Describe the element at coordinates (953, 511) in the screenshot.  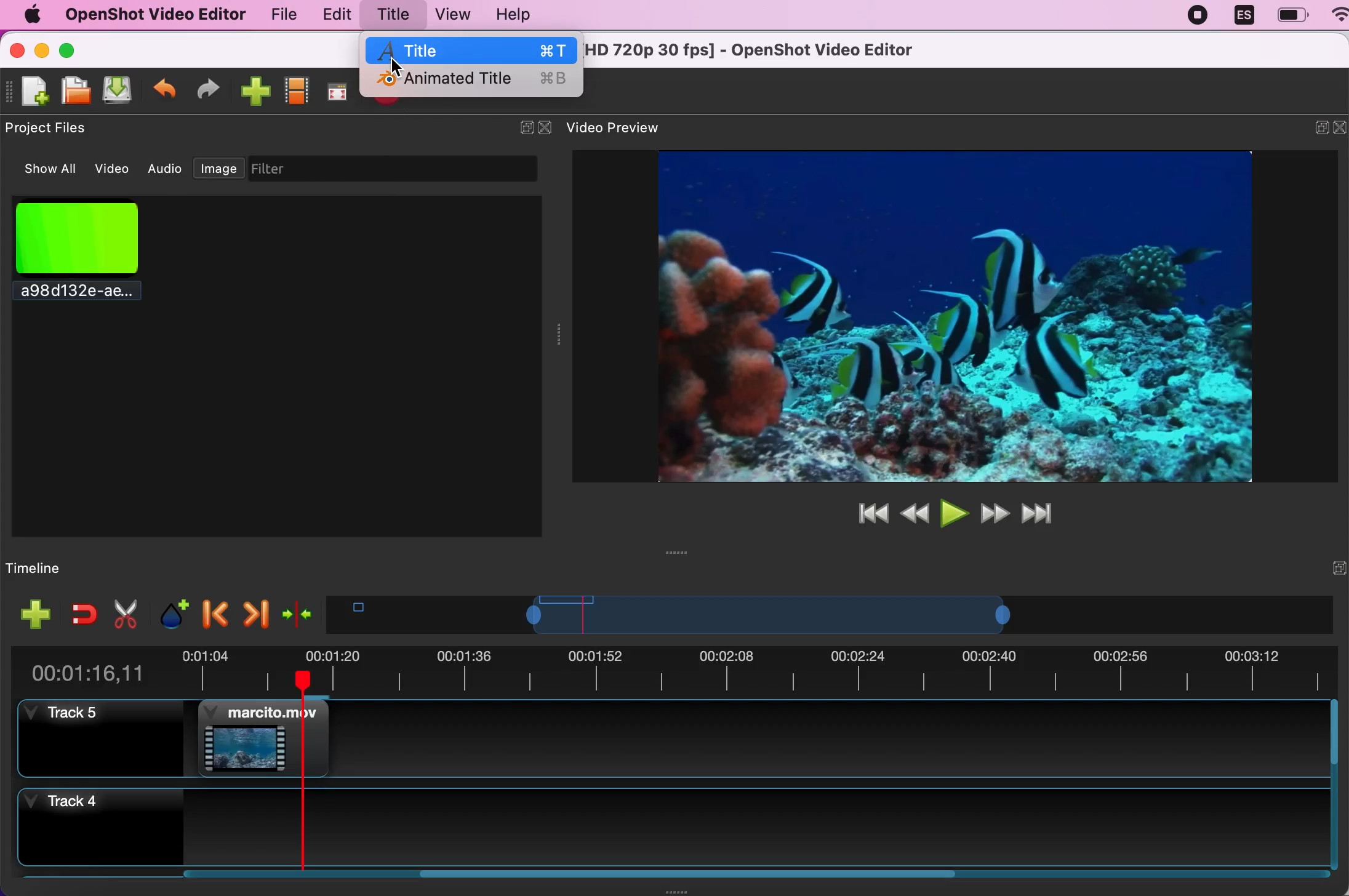
I see `play` at that location.